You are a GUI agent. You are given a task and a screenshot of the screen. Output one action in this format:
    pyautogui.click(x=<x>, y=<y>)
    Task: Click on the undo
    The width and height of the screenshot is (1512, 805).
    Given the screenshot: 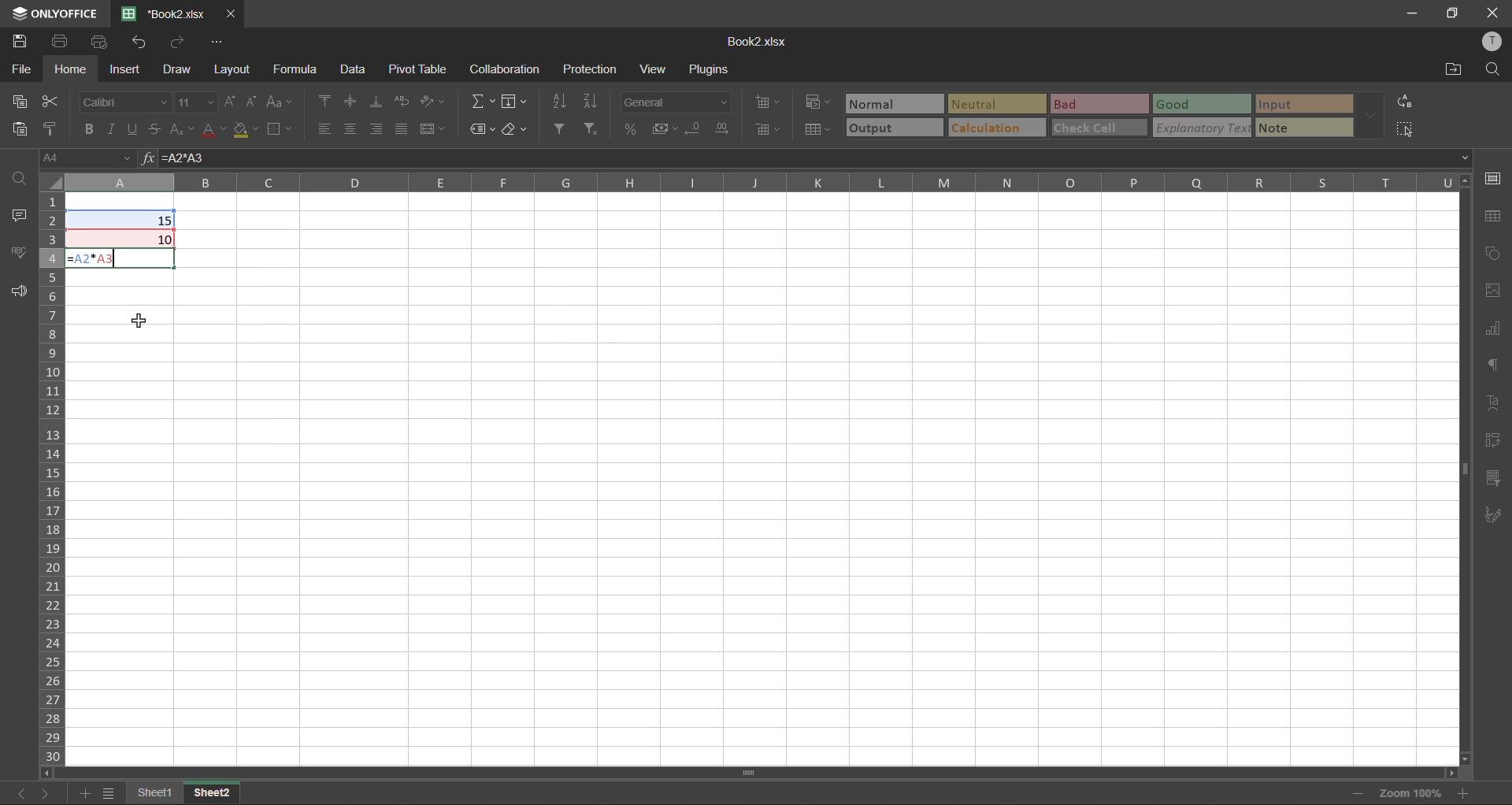 What is the action you would take?
    pyautogui.click(x=143, y=43)
    